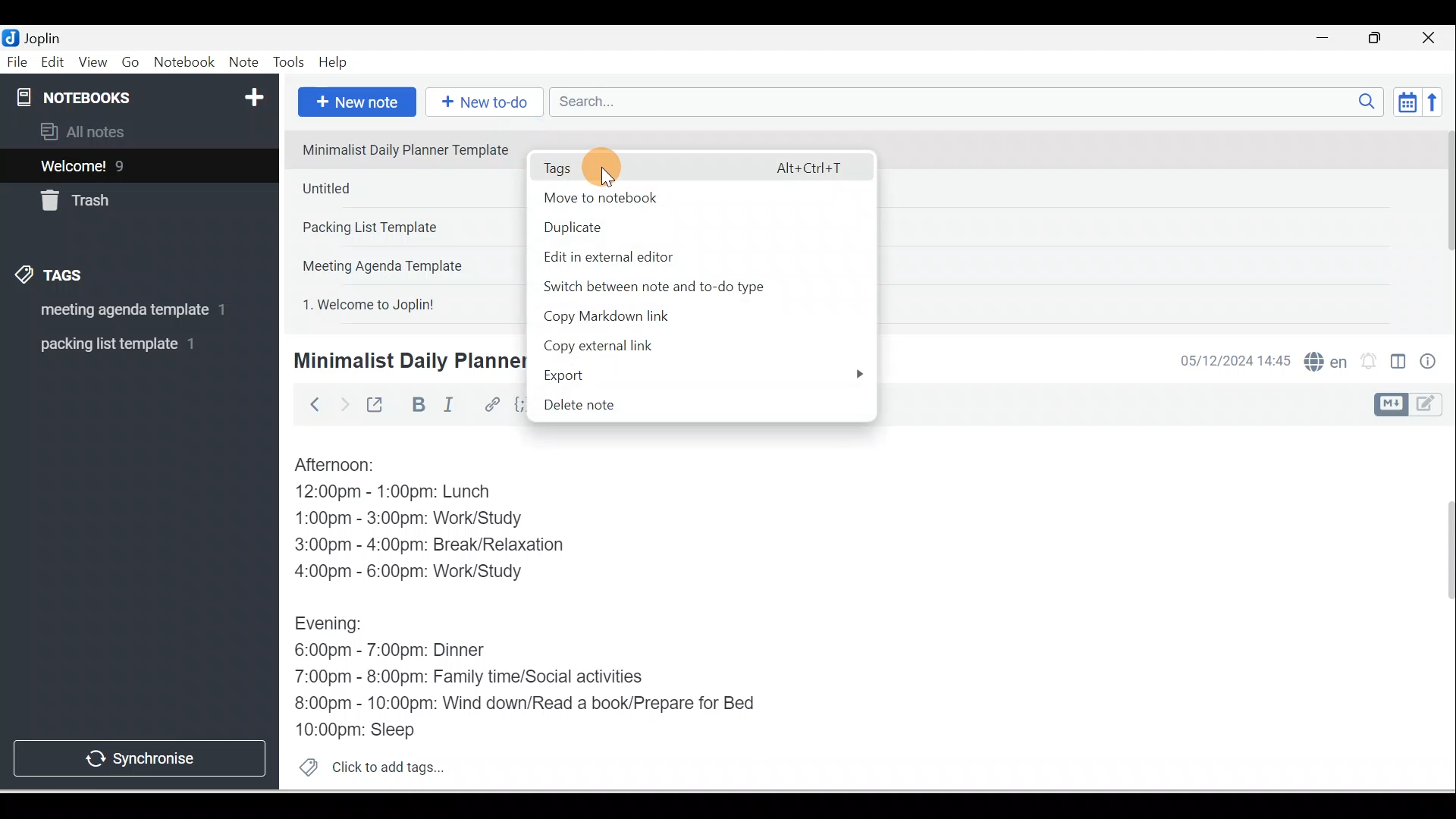  What do you see at coordinates (288, 62) in the screenshot?
I see `Tools` at bounding box center [288, 62].